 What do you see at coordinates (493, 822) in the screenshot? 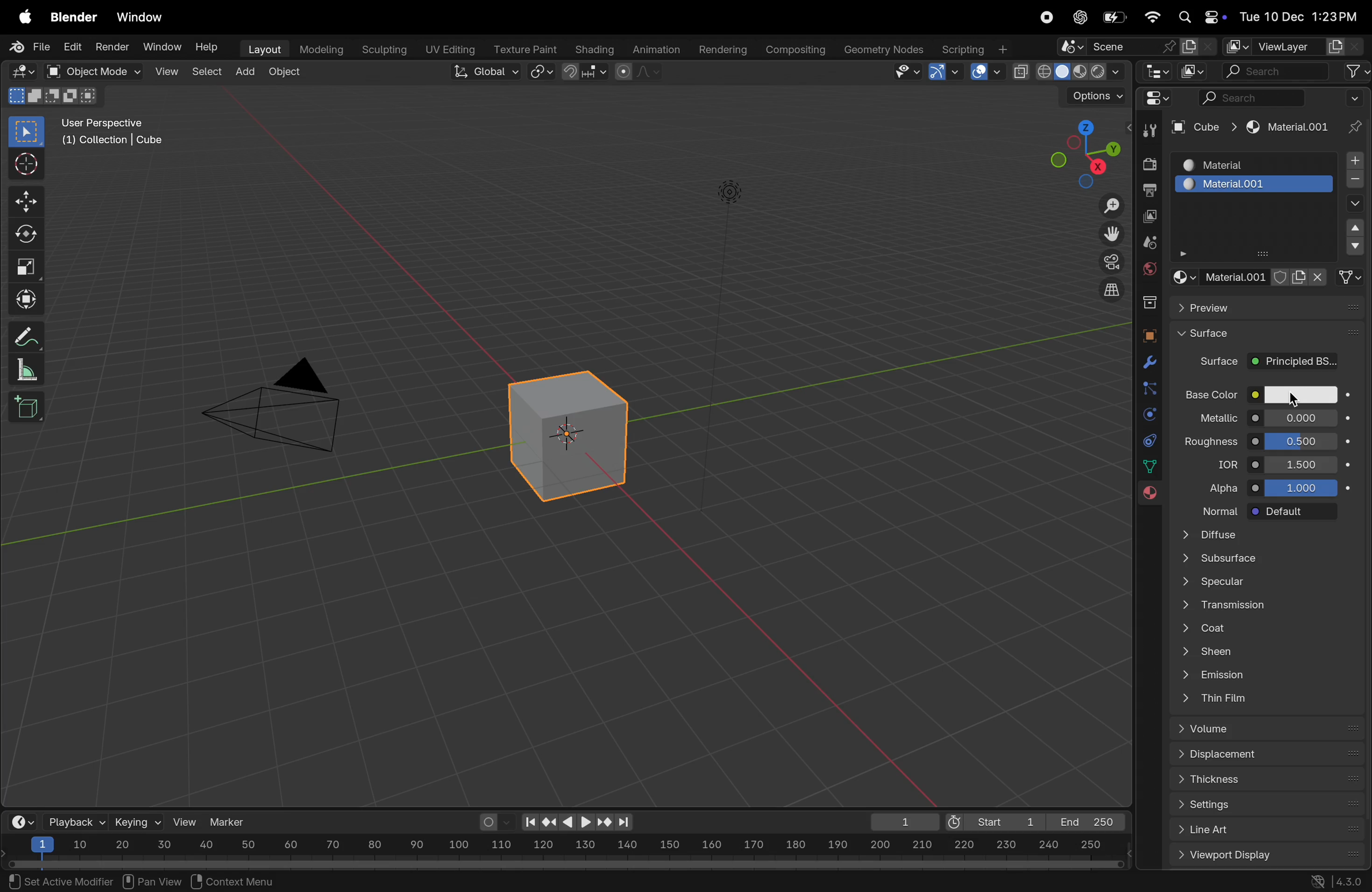
I see `auto keying` at bounding box center [493, 822].